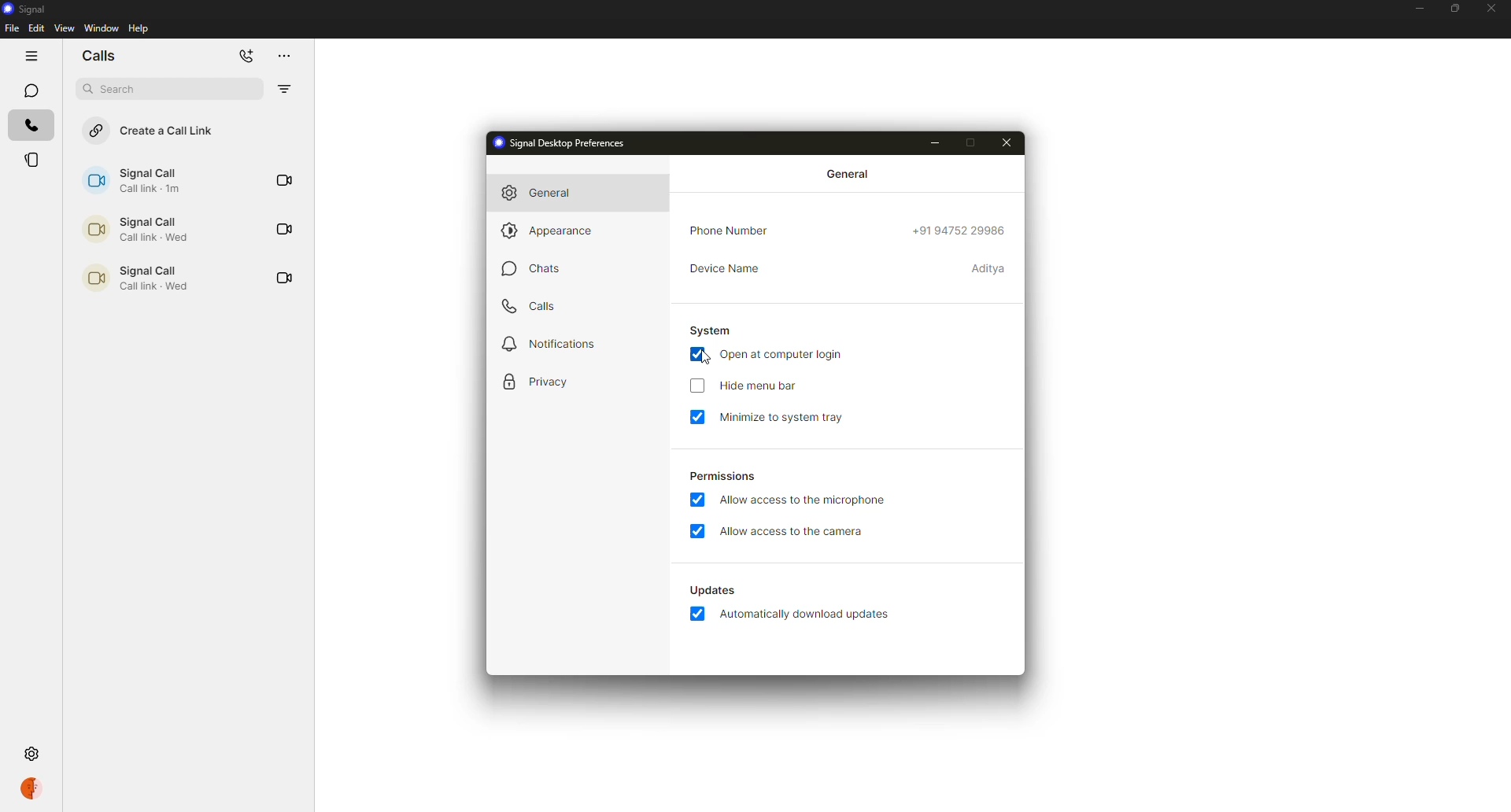  Describe the element at coordinates (31, 753) in the screenshot. I see `settings` at that location.